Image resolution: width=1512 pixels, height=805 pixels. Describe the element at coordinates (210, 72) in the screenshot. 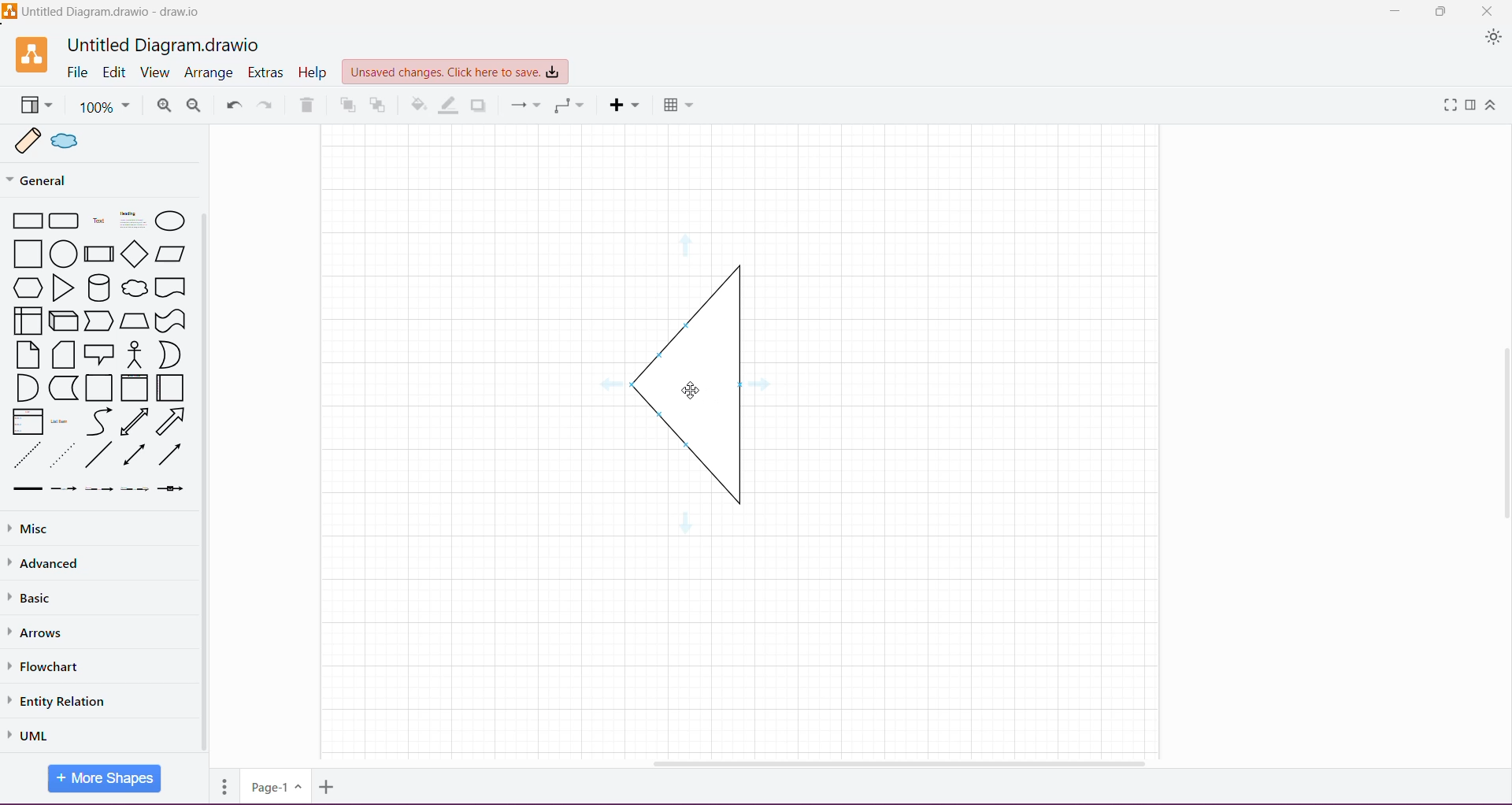

I see `Arrange` at that location.